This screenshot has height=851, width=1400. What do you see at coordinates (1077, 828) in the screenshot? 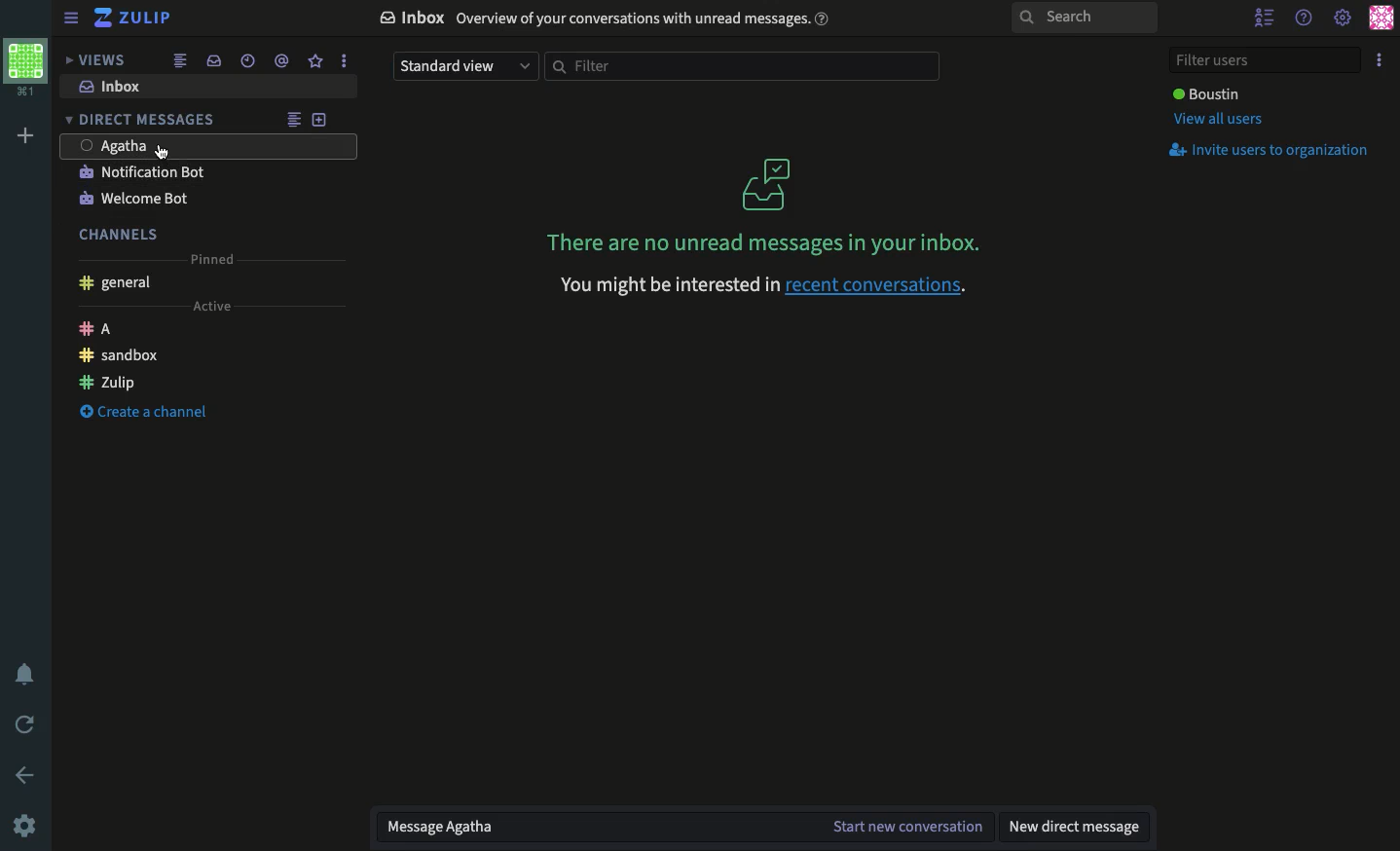
I see `New DM` at bounding box center [1077, 828].